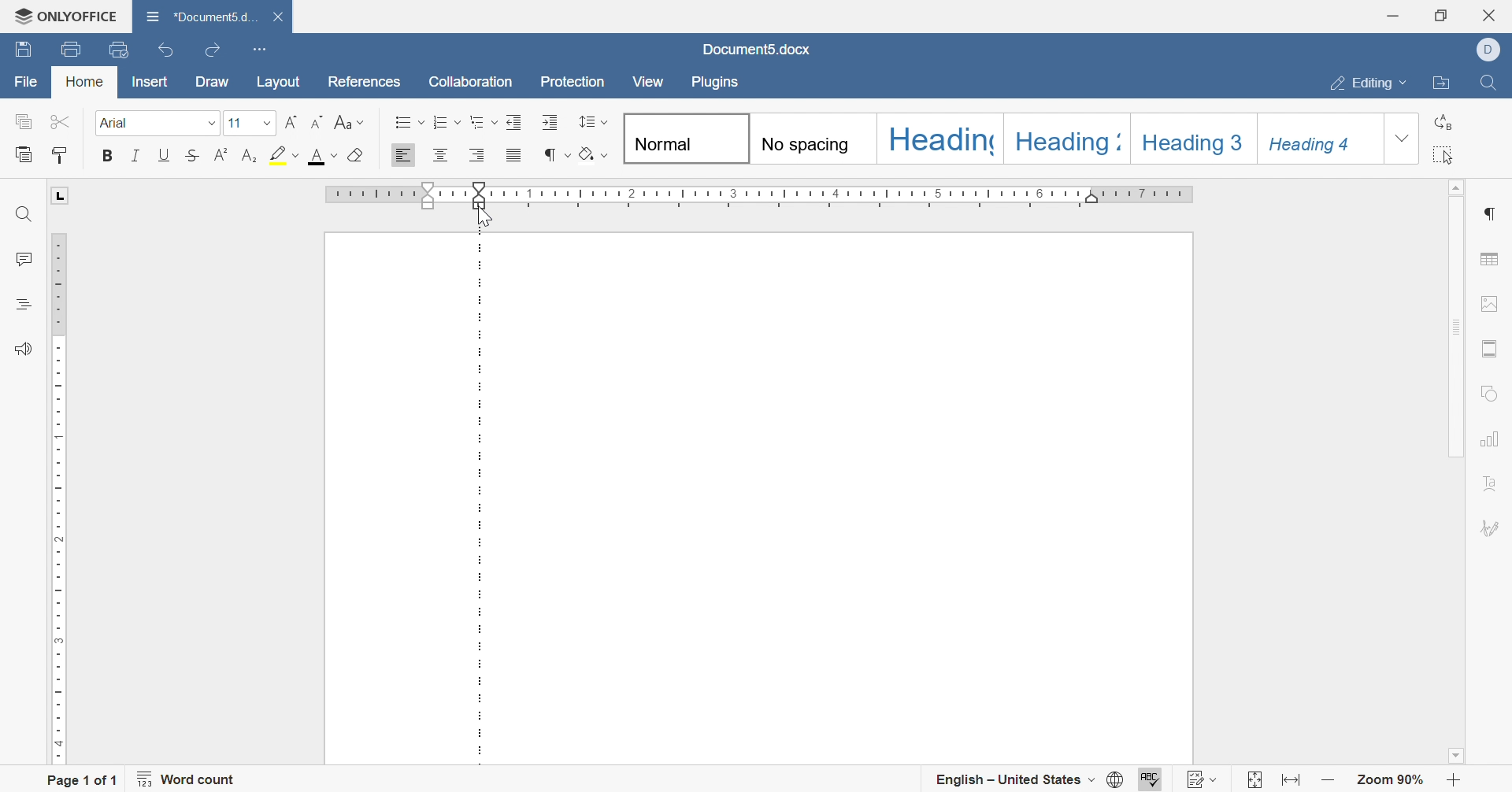 This screenshot has width=1512, height=792. Describe the element at coordinates (1448, 119) in the screenshot. I see `replace` at that location.